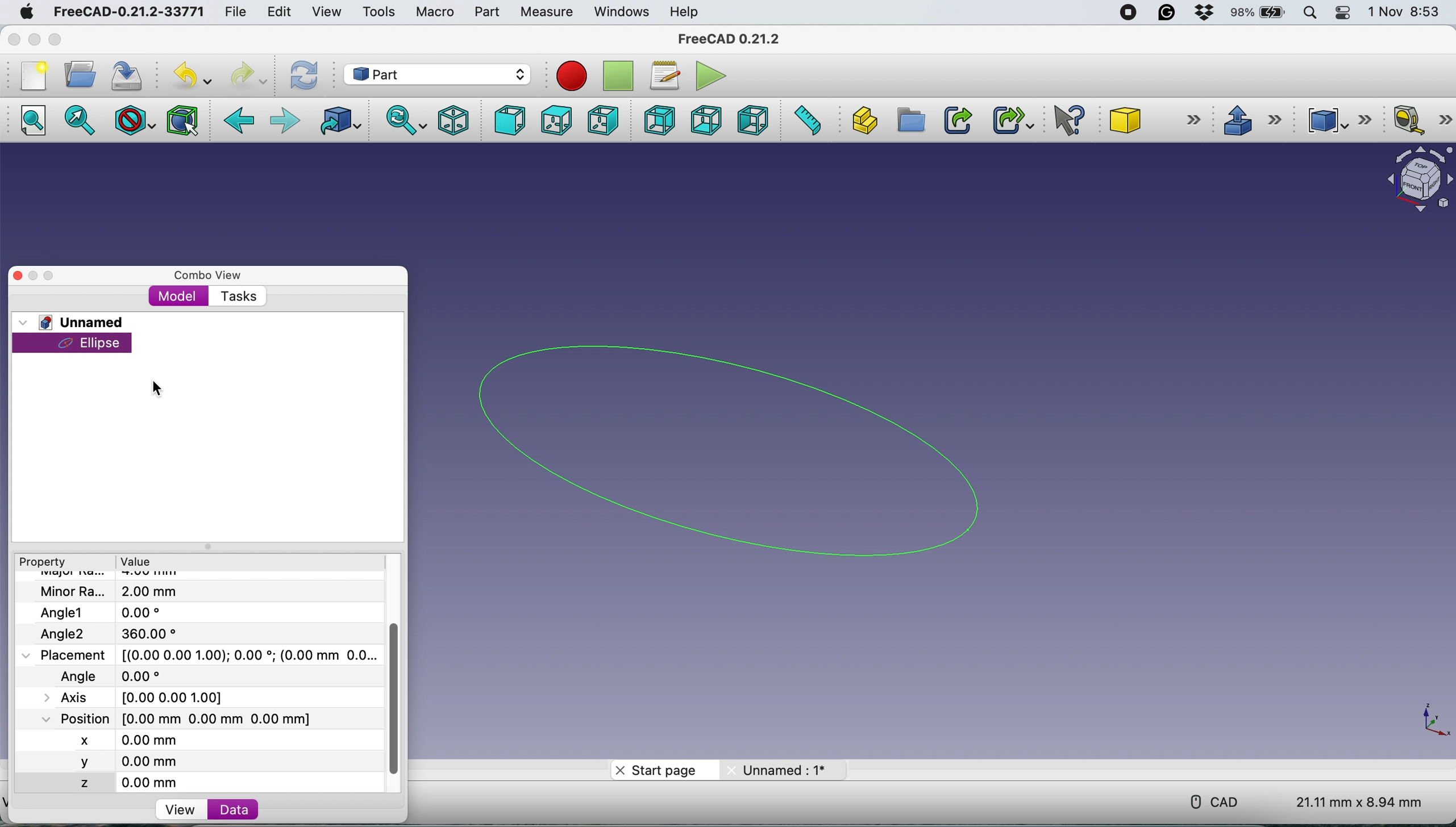 The image size is (1456, 827). I want to click on sync view, so click(406, 120).